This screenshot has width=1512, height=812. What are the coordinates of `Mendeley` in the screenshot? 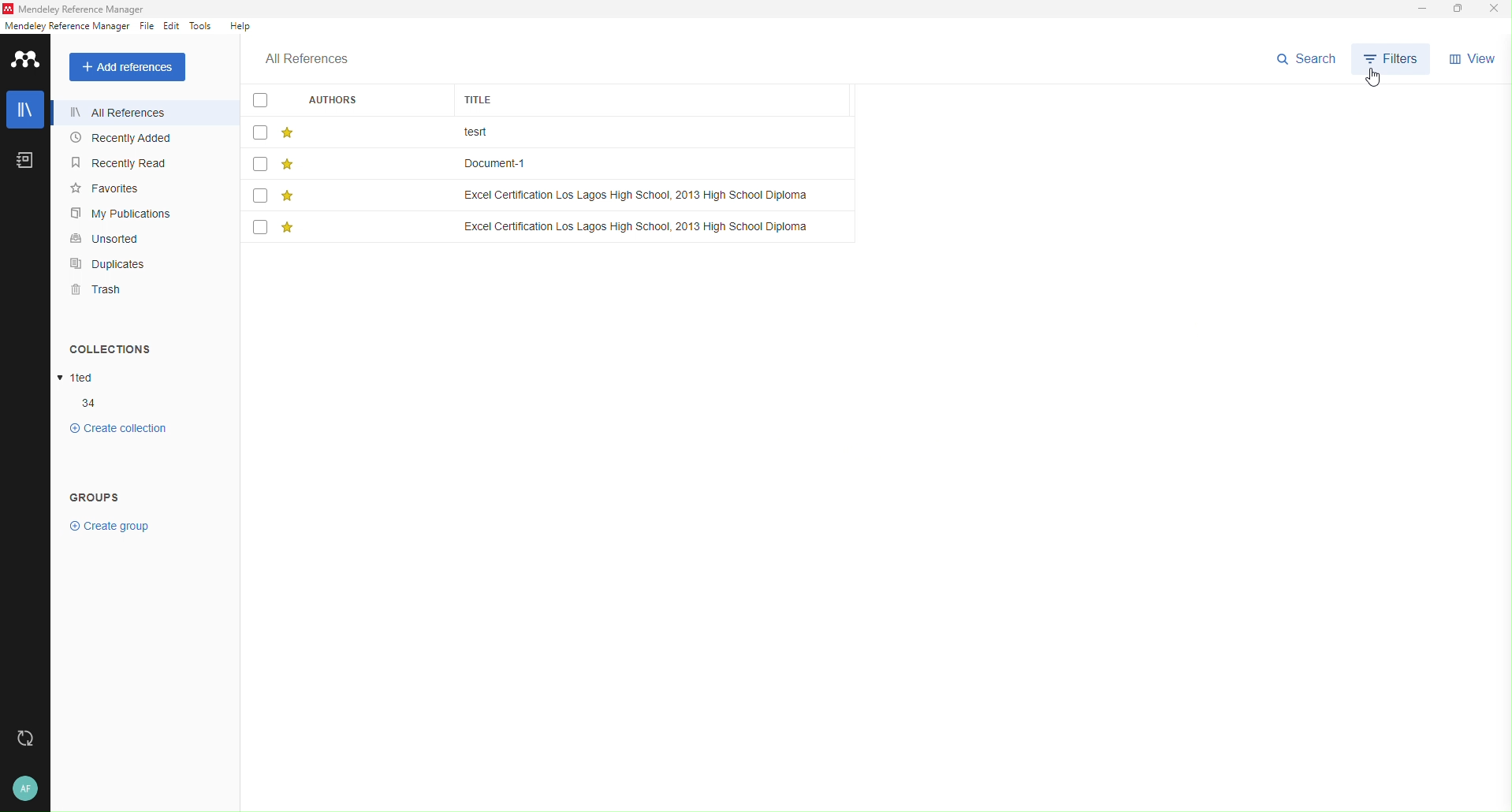 It's located at (27, 58).